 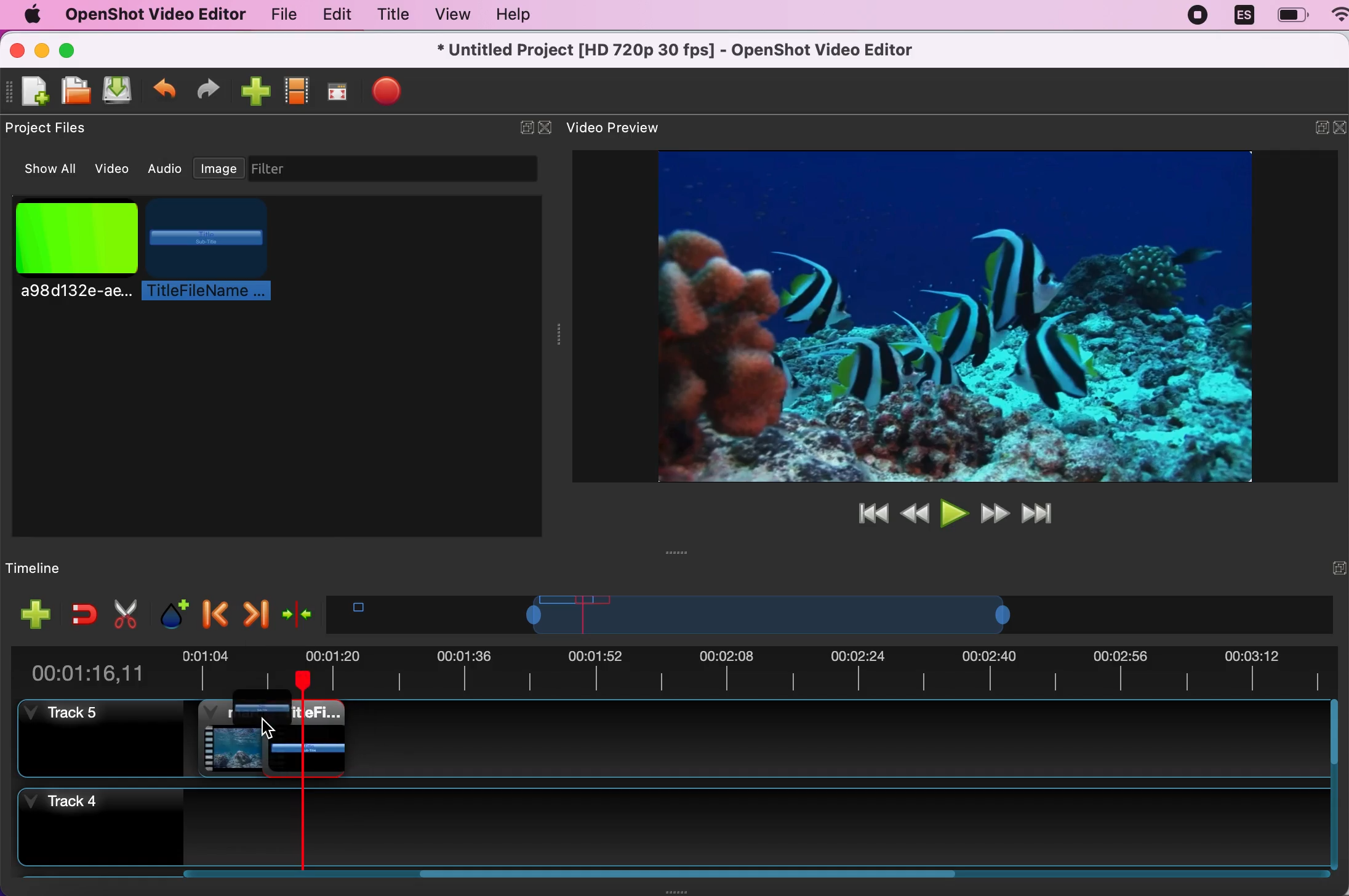 What do you see at coordinates (42, 49) in the screenshot?
I see `minimize` at bounding box center [42, 49].